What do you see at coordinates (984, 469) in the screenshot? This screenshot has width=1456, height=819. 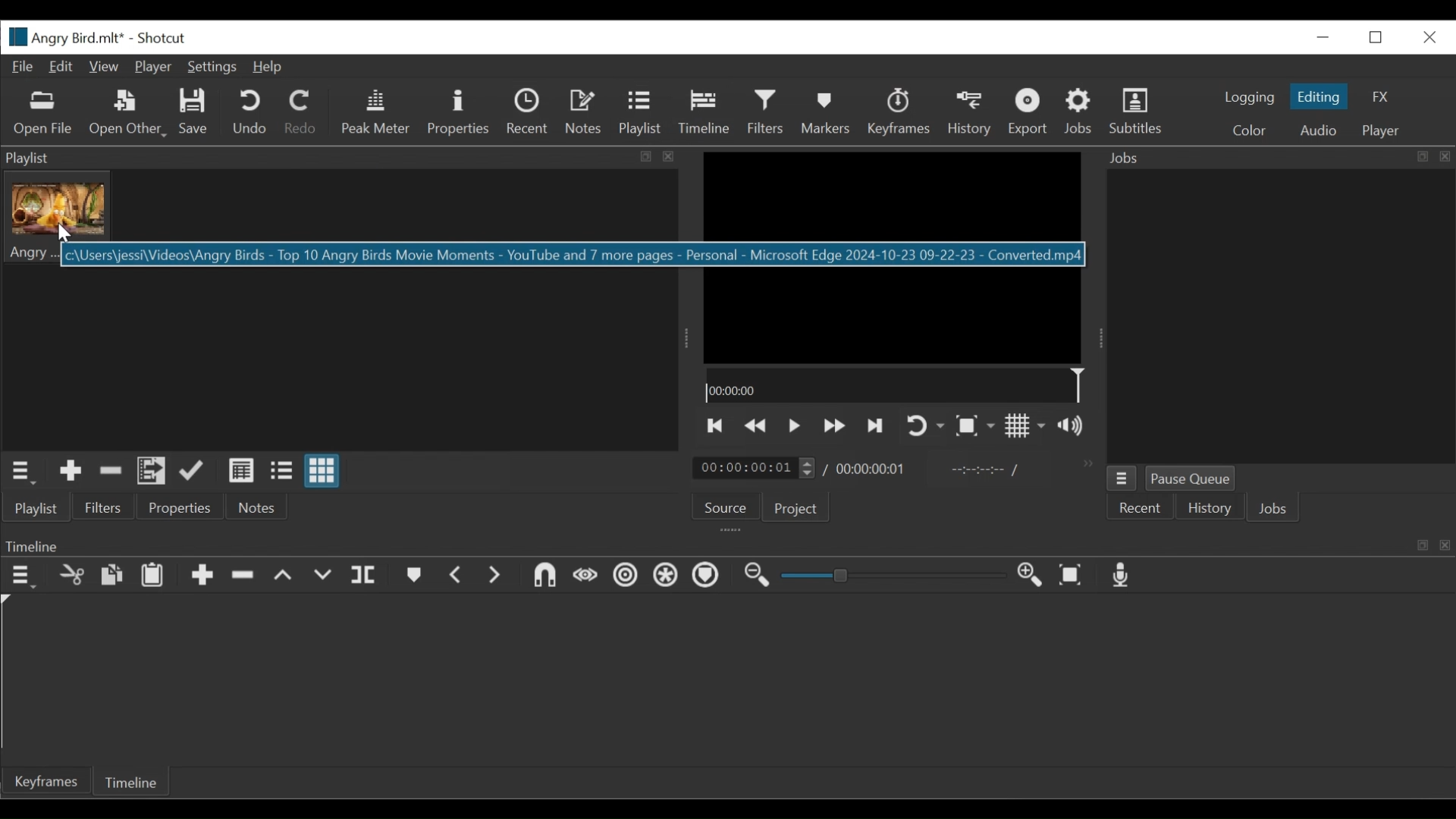 I see `In point` at bounding box center [984, 469].